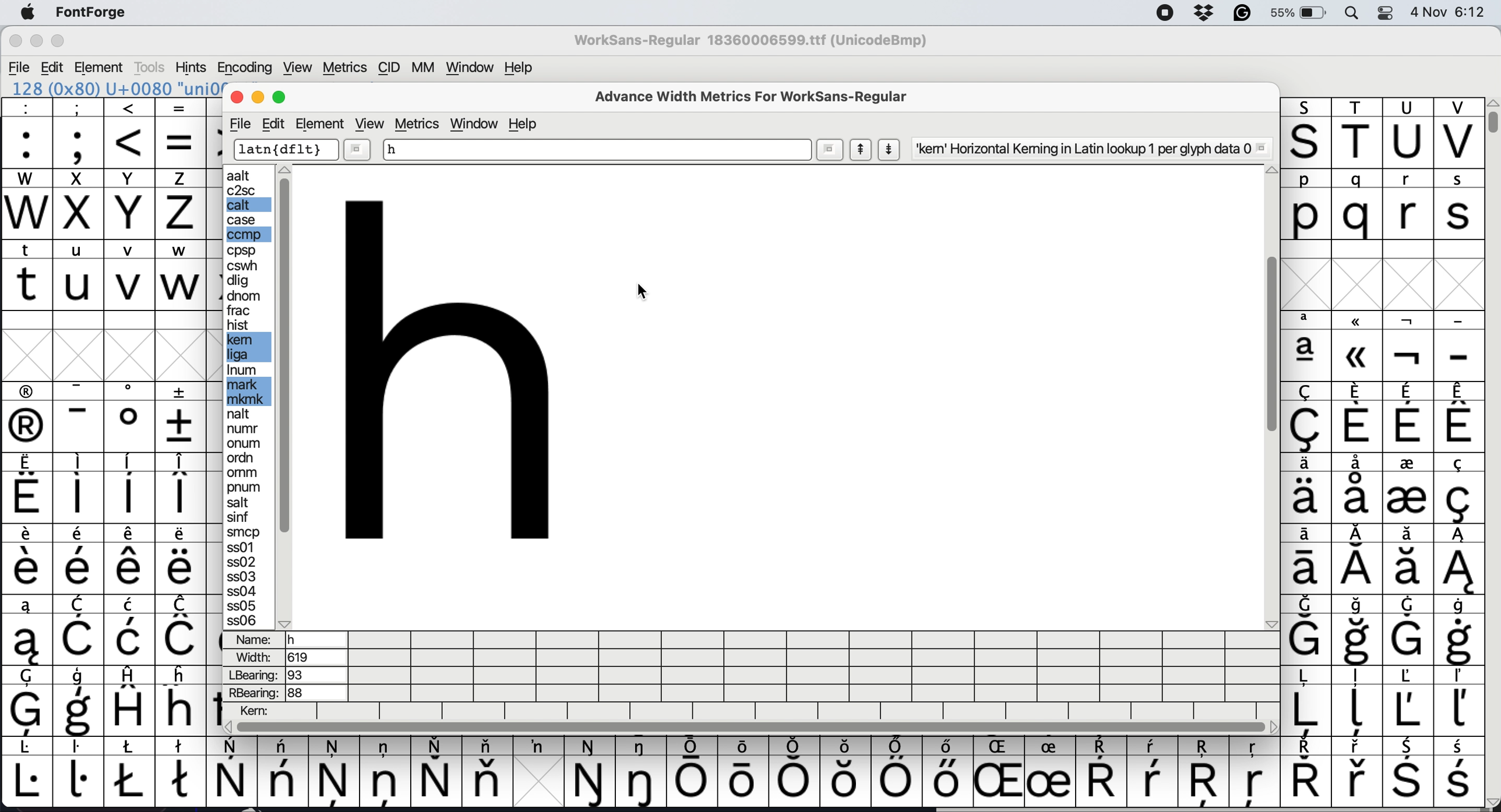 This screenshot has height=812, width=1501. I want to click on 'kem' Horizontal Keming in Latin lookup 1 per glyph data 0, so click(1083, 149).